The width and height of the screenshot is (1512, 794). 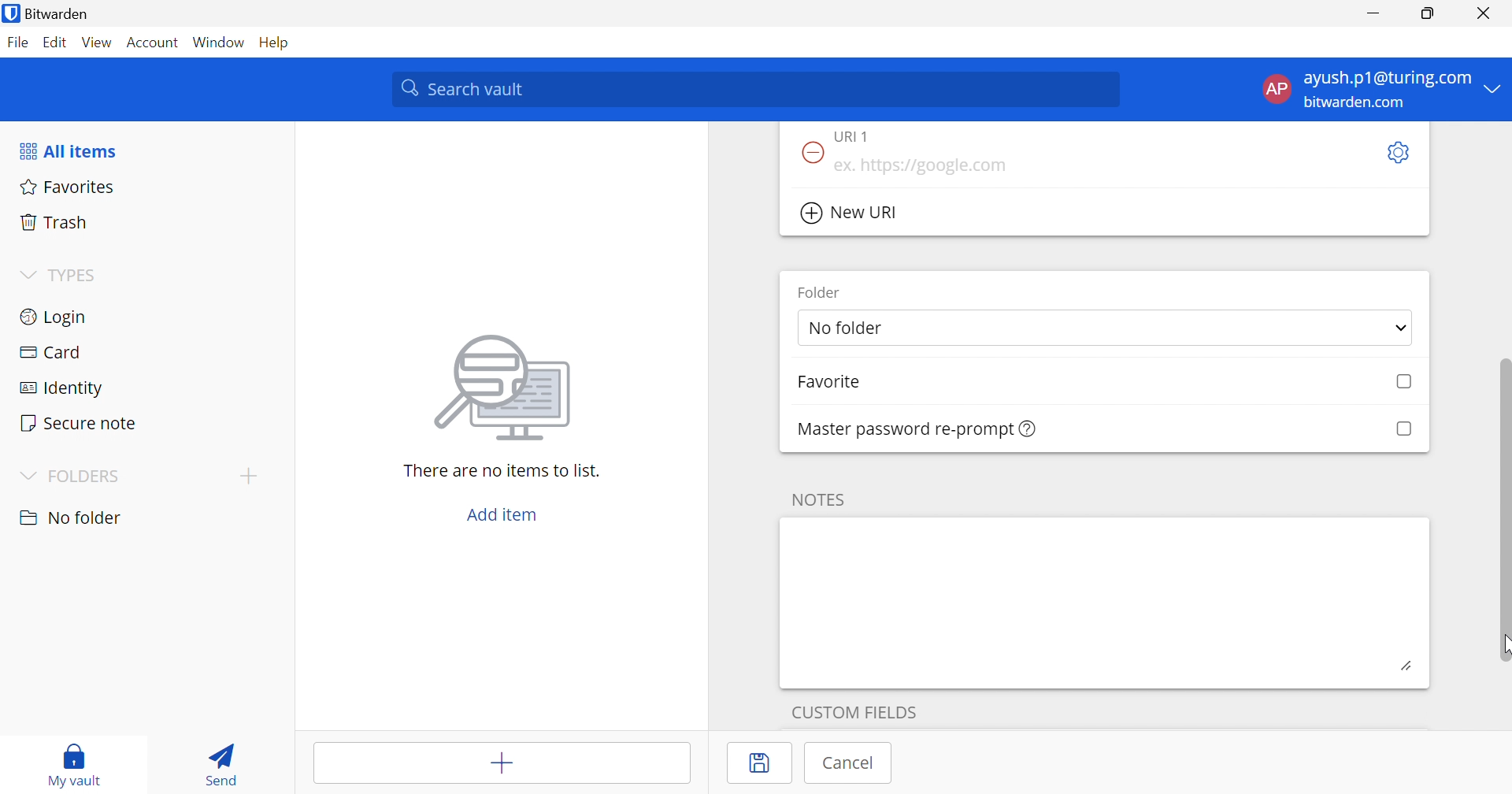 I want to click on NOTES, so click(x=816, y=499).